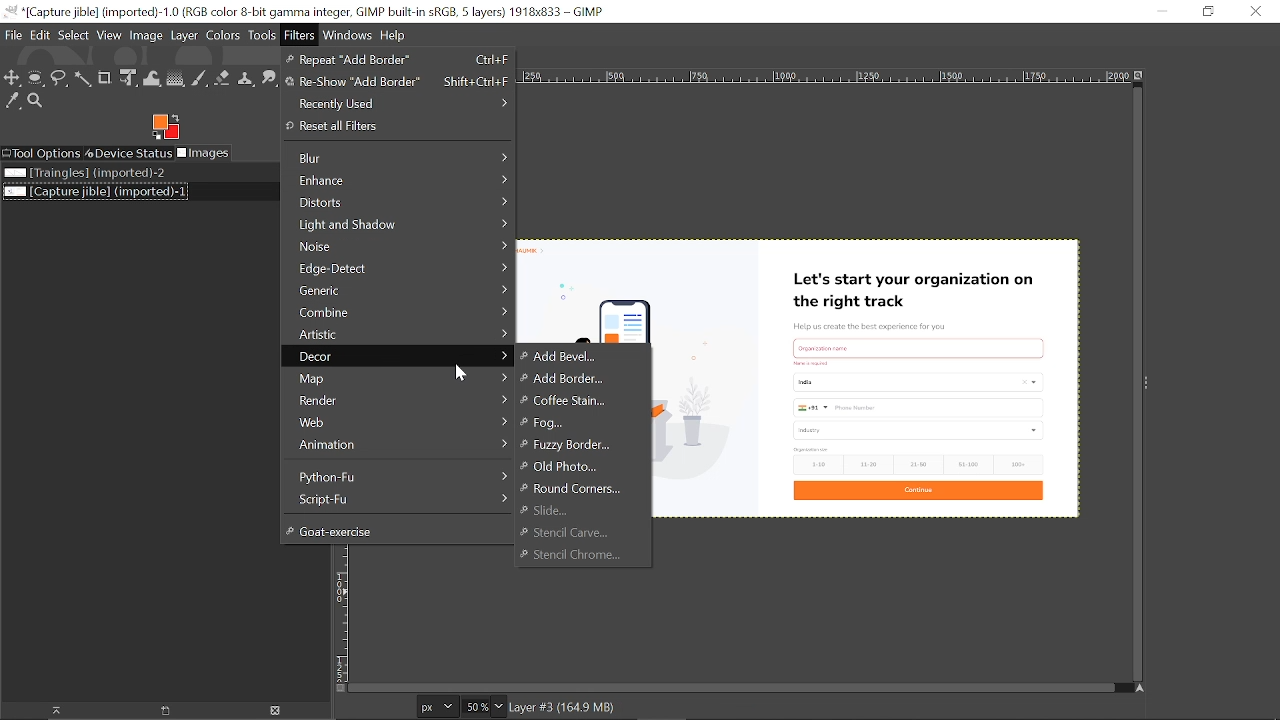 Image resolution: width=1280 pixels, height=720 pixels. What do you see at coordinates (396, 531) in the screenshot?
I see `Goat-excercise` at bounding box center [396, 531].